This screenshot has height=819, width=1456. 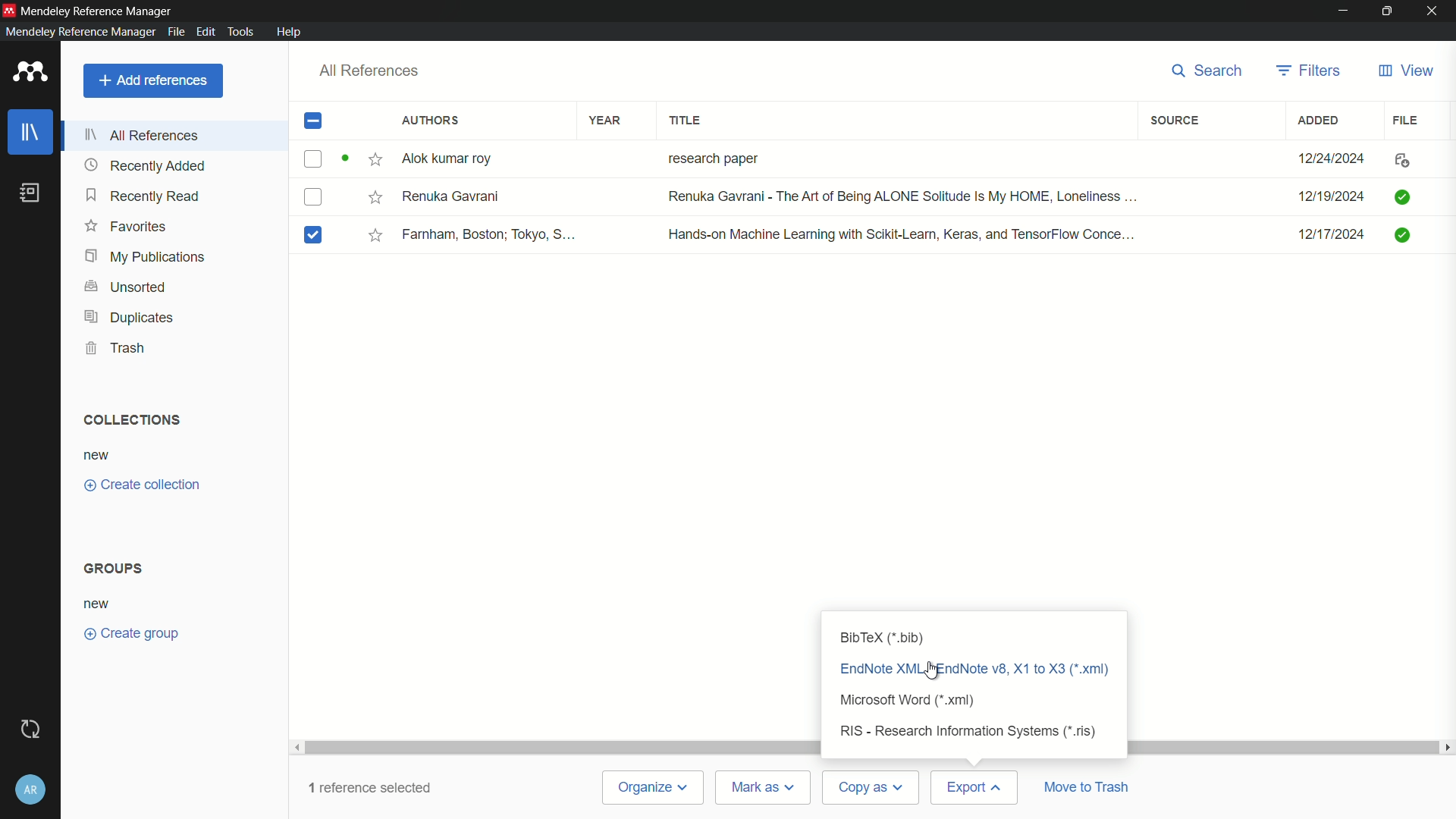 What do you see at coordinates (773, 196) in the screenshot?
I see `Renuka Gavrani Renuka Gavrani - The Art of Being ALONE Solitude Is My HOME, Loneliness ...` at bounding box center [773, 196].